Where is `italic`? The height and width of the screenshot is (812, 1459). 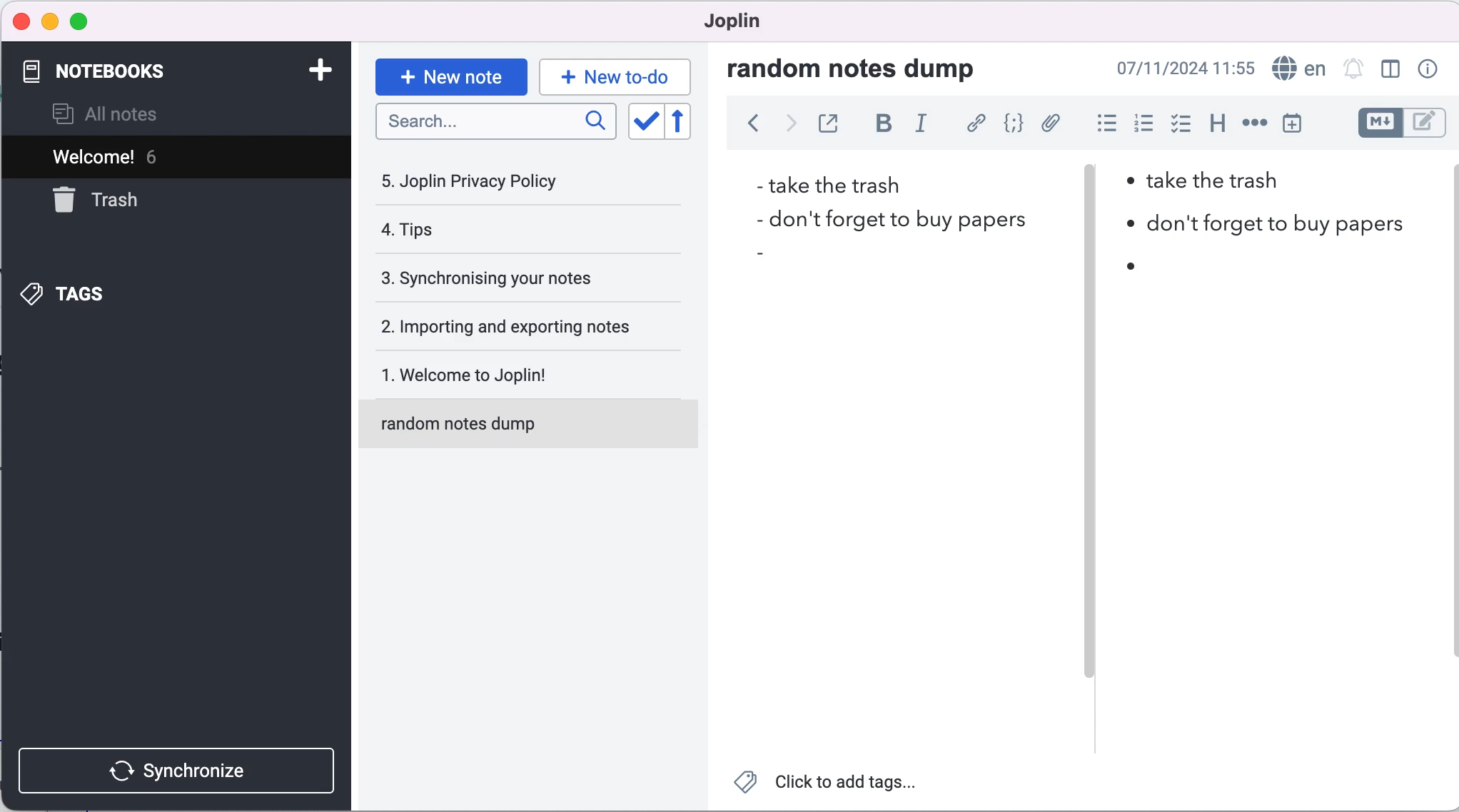 italic is located at coordinates (923, 128).